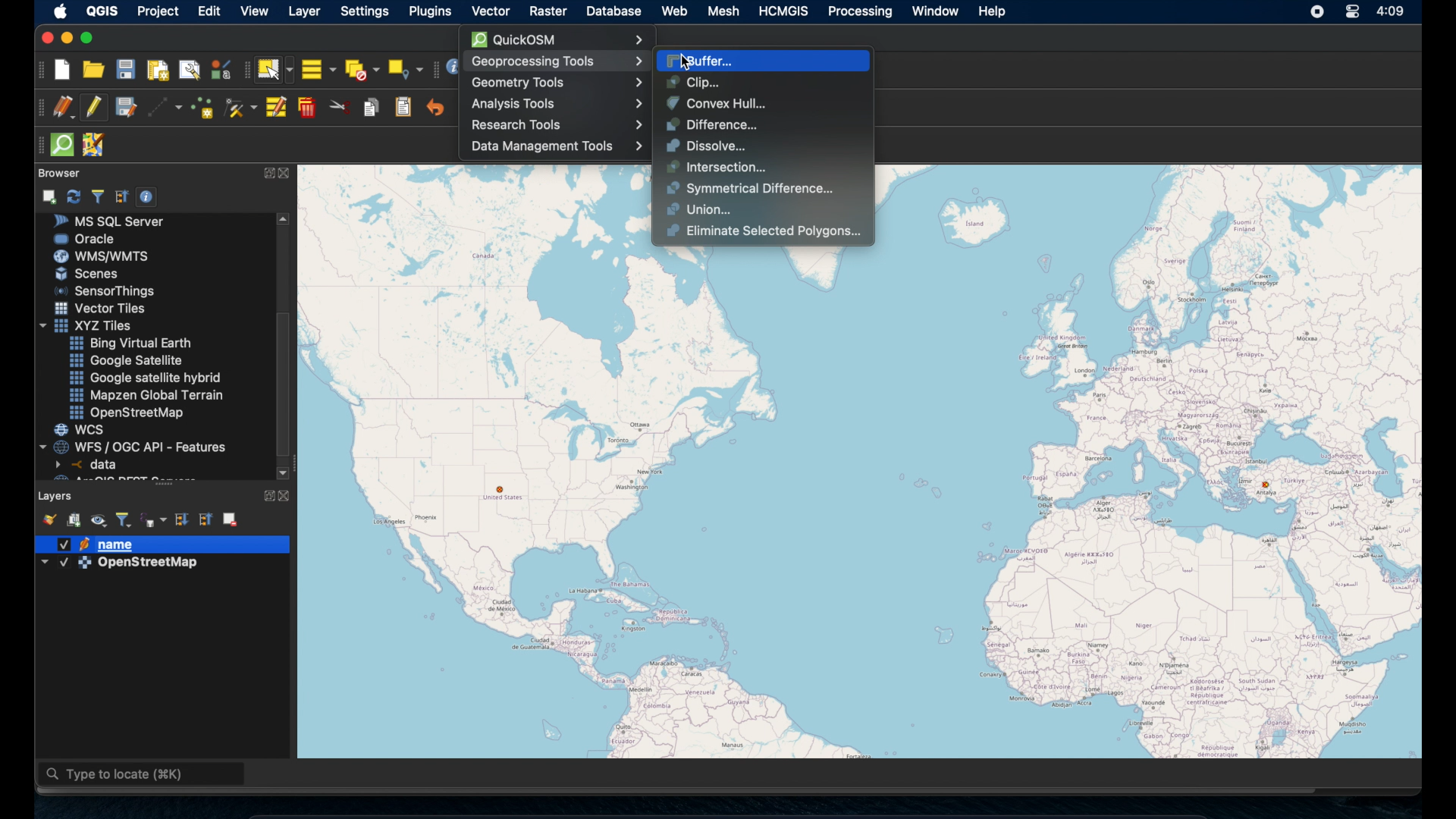 Image resolution: width=1456 pixels, height=819 pixels. What do you see at coordinates (762, 231) in the screenshot?
I see `Eliminate Selected Polygons...` at bounding box center [762, 231].